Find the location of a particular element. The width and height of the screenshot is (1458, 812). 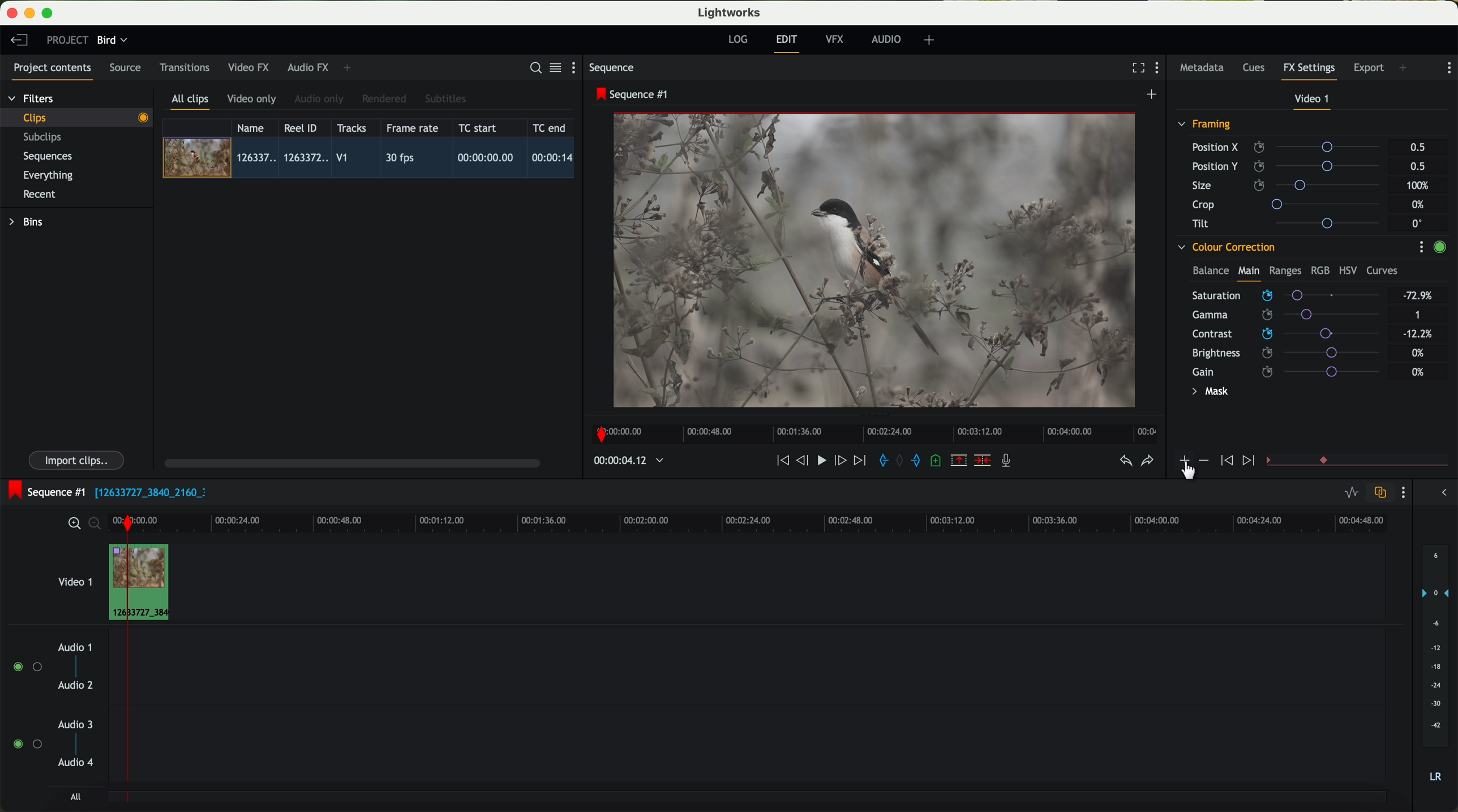

show settings menu is located at coordinates (1448, 68).